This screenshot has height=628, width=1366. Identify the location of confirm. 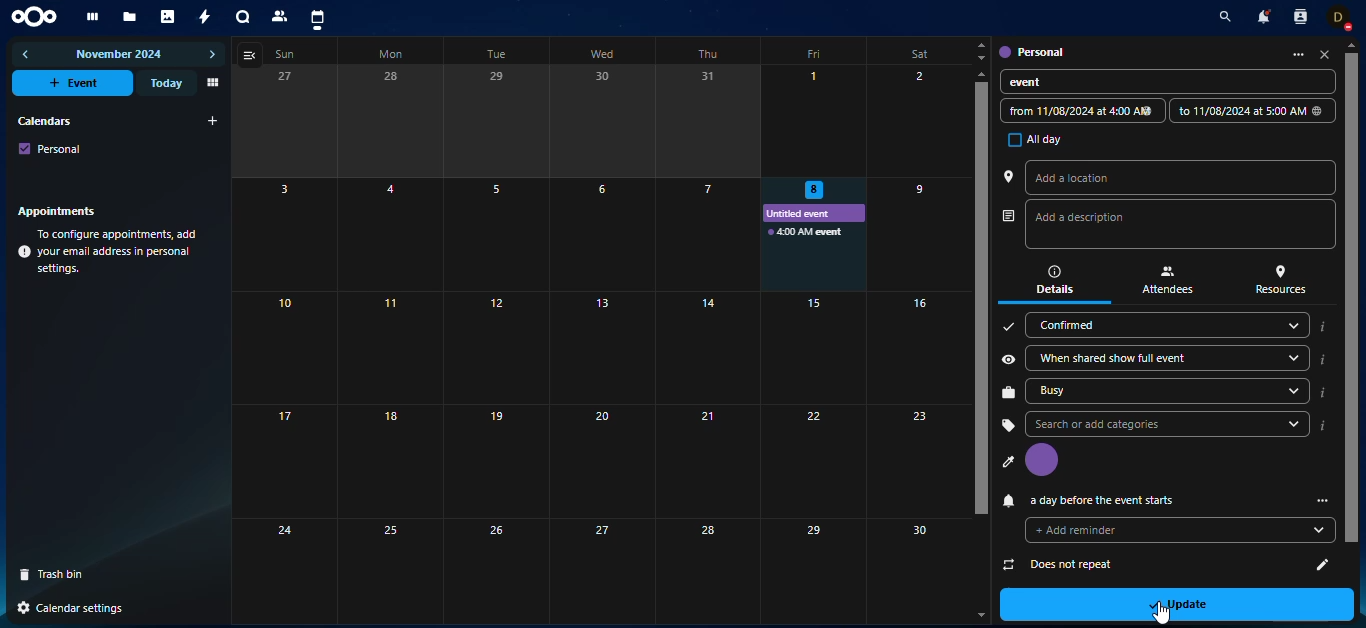
(1008, 327).